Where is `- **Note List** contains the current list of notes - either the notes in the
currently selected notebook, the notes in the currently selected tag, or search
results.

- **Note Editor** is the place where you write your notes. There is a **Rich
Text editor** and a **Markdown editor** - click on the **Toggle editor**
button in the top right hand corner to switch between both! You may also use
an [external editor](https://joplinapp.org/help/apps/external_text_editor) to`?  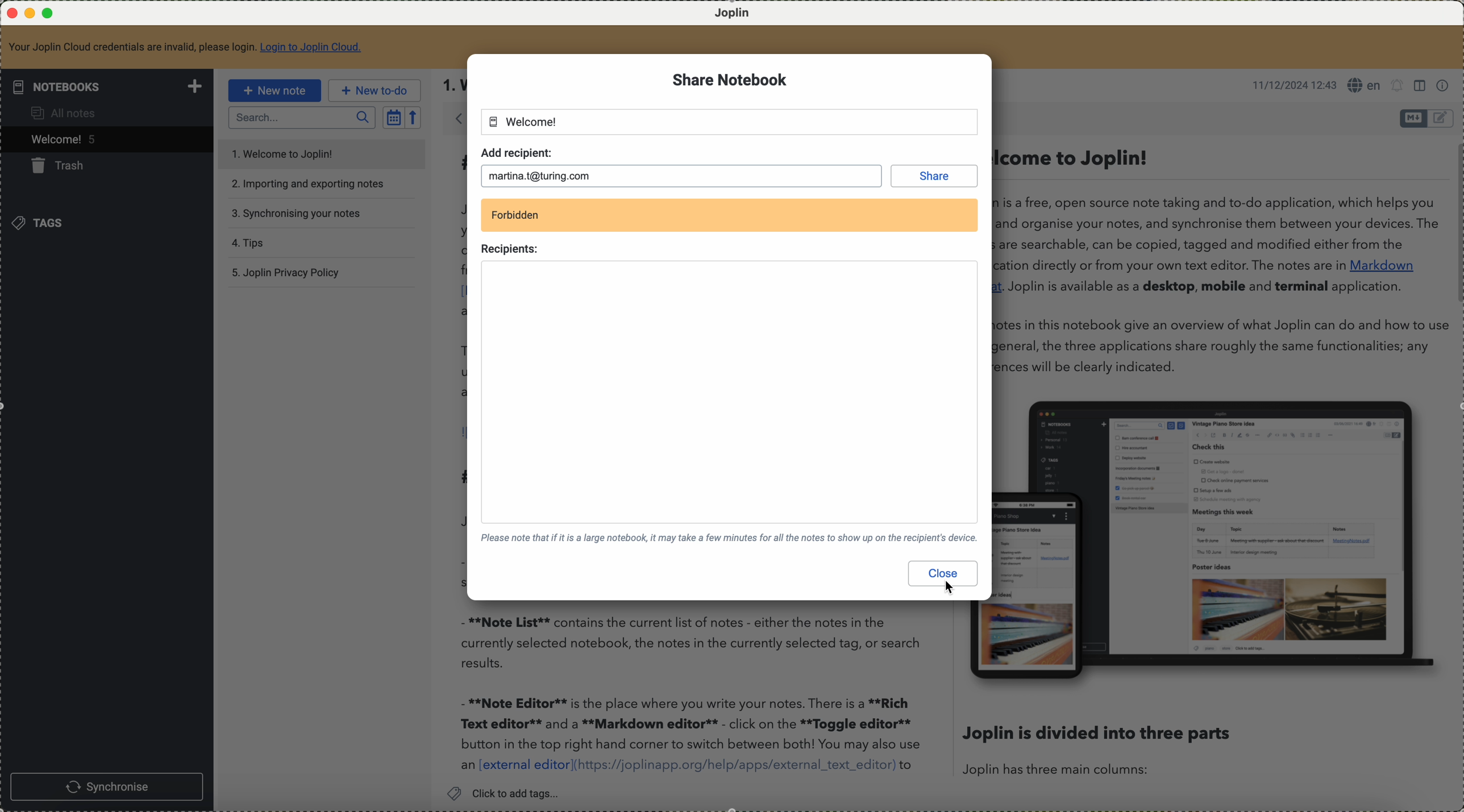
- **Note List** contains the current list of notes - either the notes in the
currently selected notebook, the notes in the currently selected tag, or search
results.

- **Note Editor** is the place where you write your notes. There is a **Rich
Text editor** and a **Markdown editor** - click on the **Toggle editor**
button in the top right hand corner to switch between both! You may also use
an [external editor](https://joplinapp.org/help/apps/external_text_editor) to is located at coordinates (692, 694).